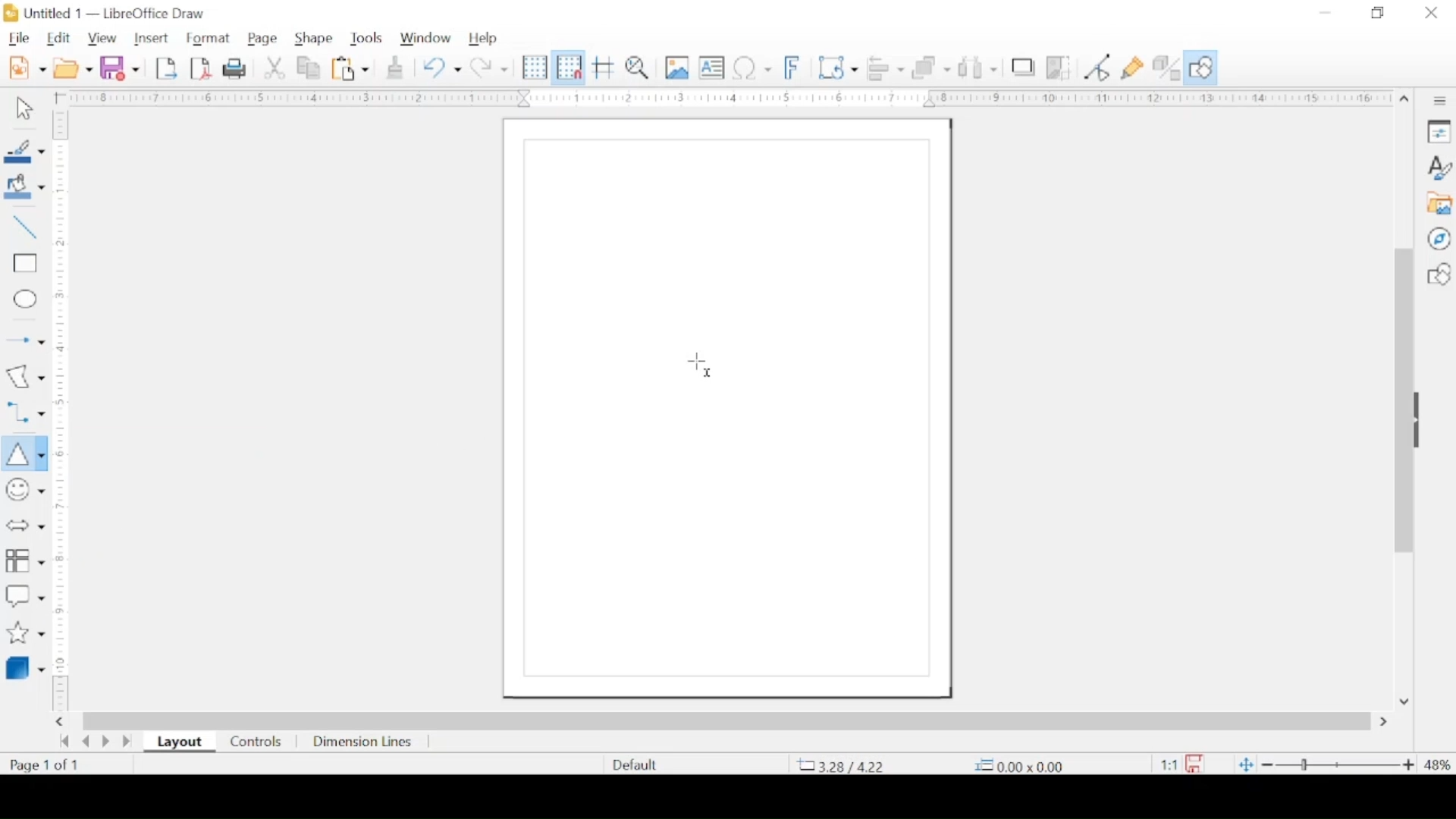 The width and height of the screenshot is (1456, 819). Describe the element at coordinates (711, 67) in the screenshot. I see `insert textbox` at that location.